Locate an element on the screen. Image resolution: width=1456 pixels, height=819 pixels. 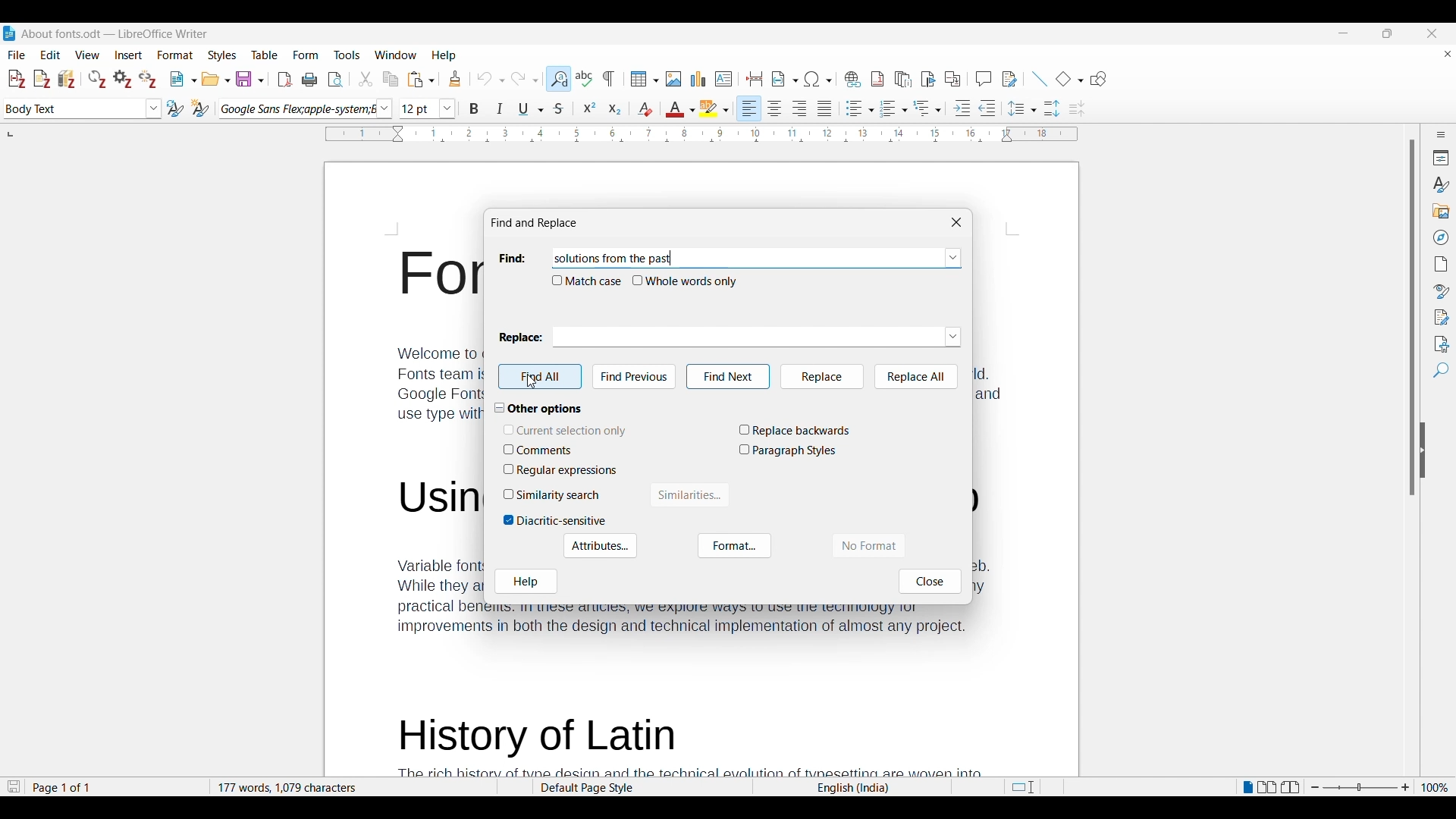
File menu is located at coordinates (17, 55).